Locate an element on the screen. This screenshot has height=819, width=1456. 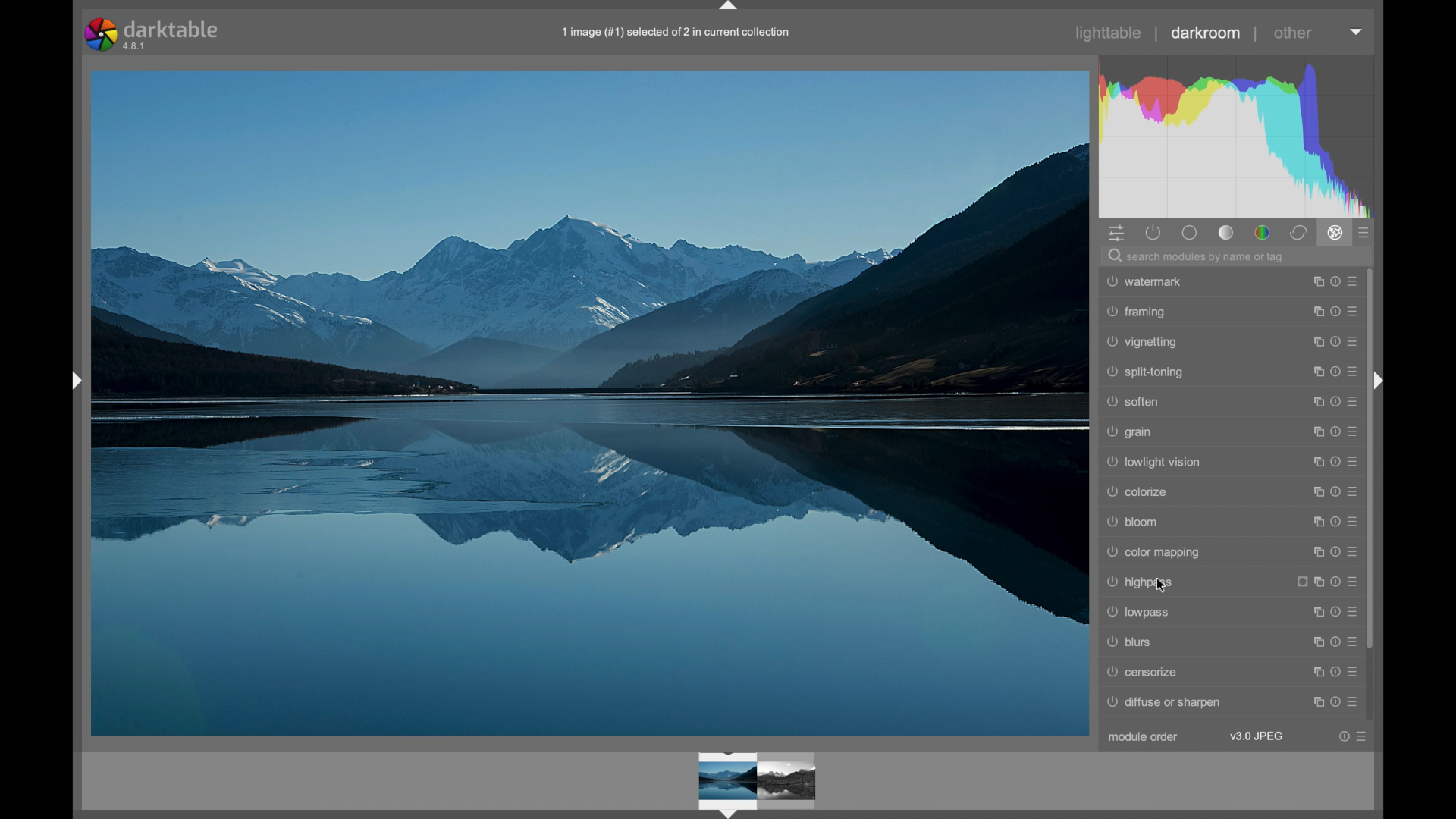
highpass is located at coordinates (1139, 582).